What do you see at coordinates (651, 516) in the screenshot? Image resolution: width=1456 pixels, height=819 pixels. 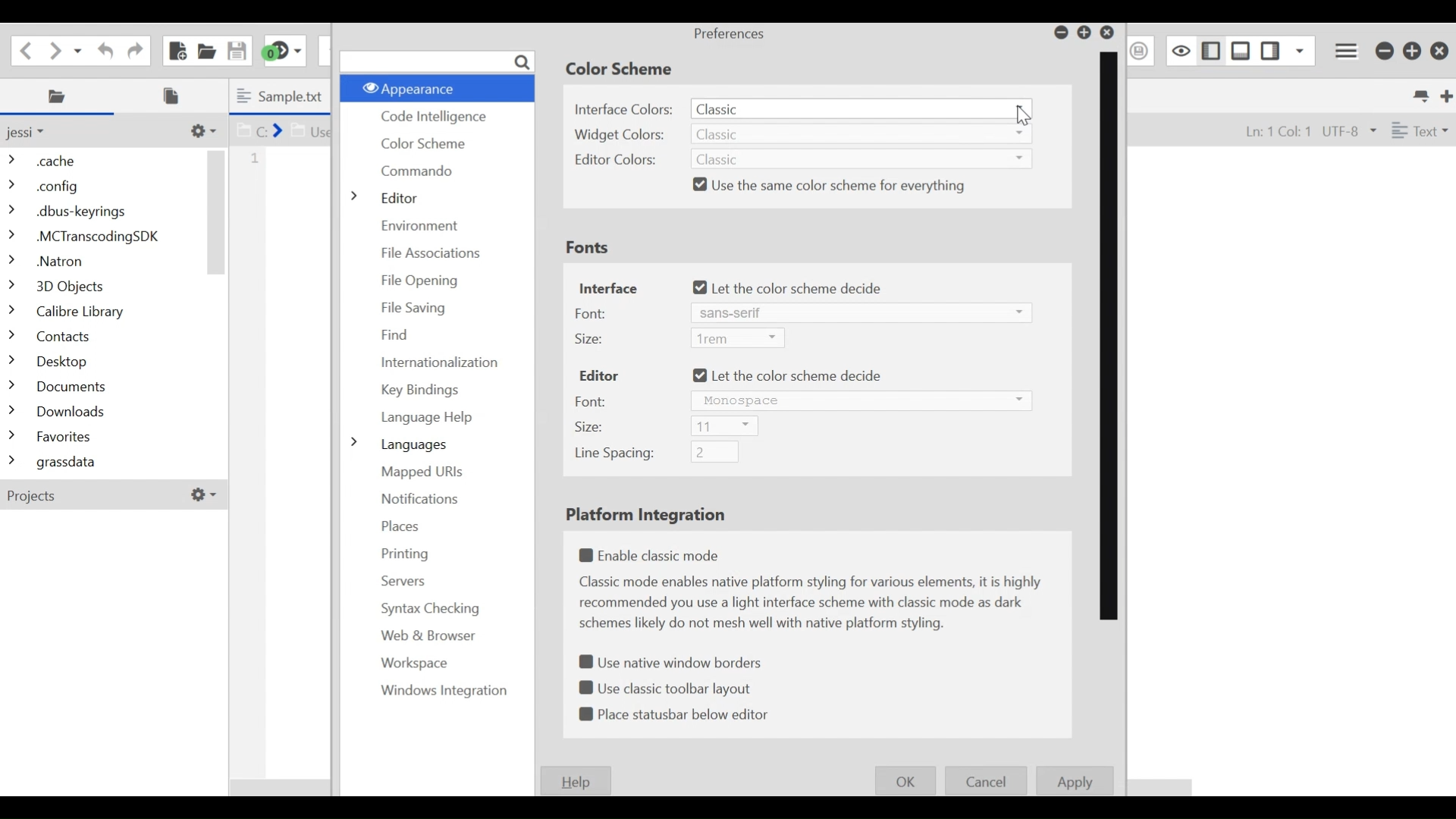 I see `Platform Intergration` at bounding box center [651, 516].